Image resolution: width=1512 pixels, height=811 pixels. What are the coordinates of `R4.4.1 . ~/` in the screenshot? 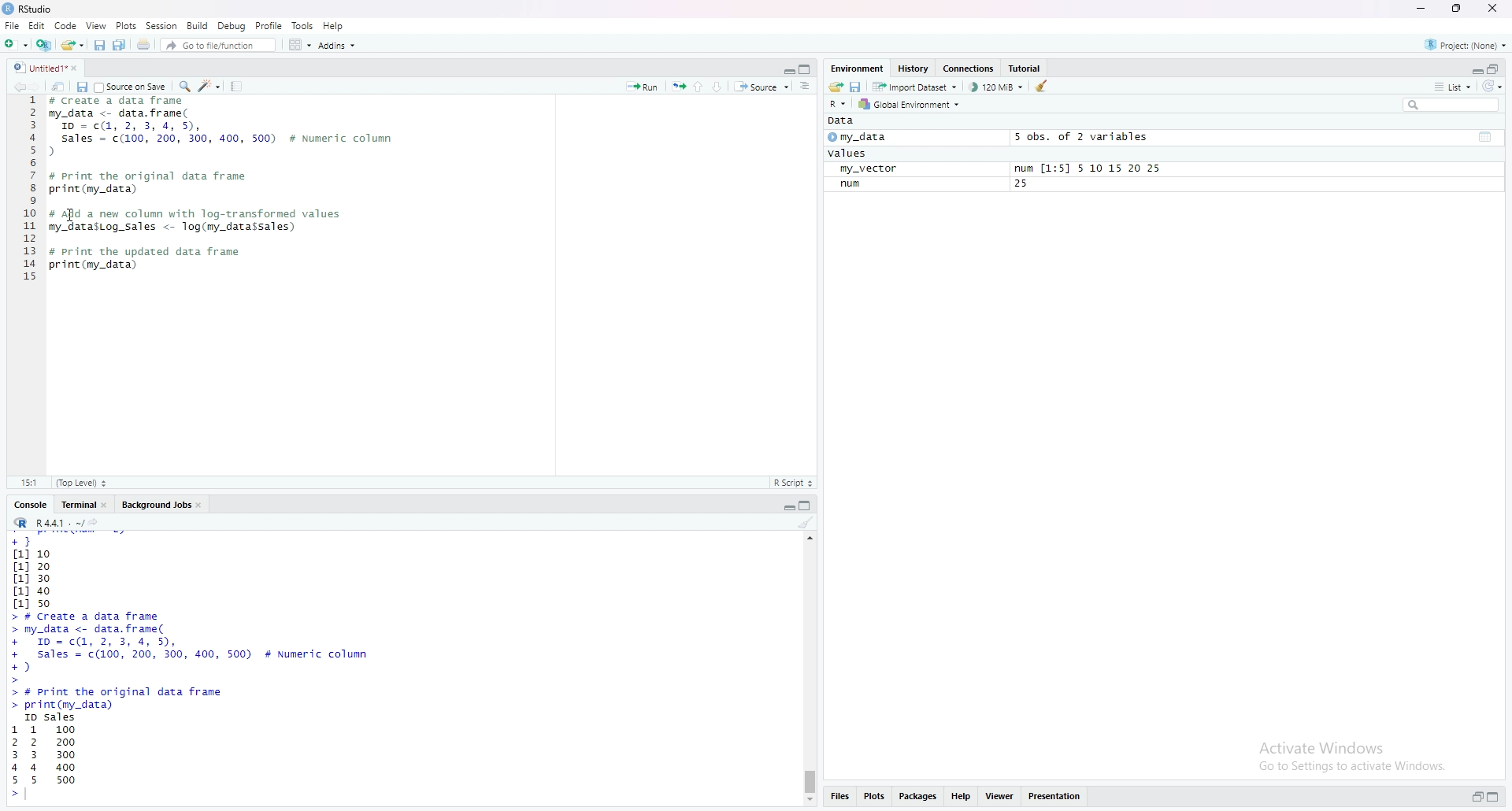 It's located at (61, 525).